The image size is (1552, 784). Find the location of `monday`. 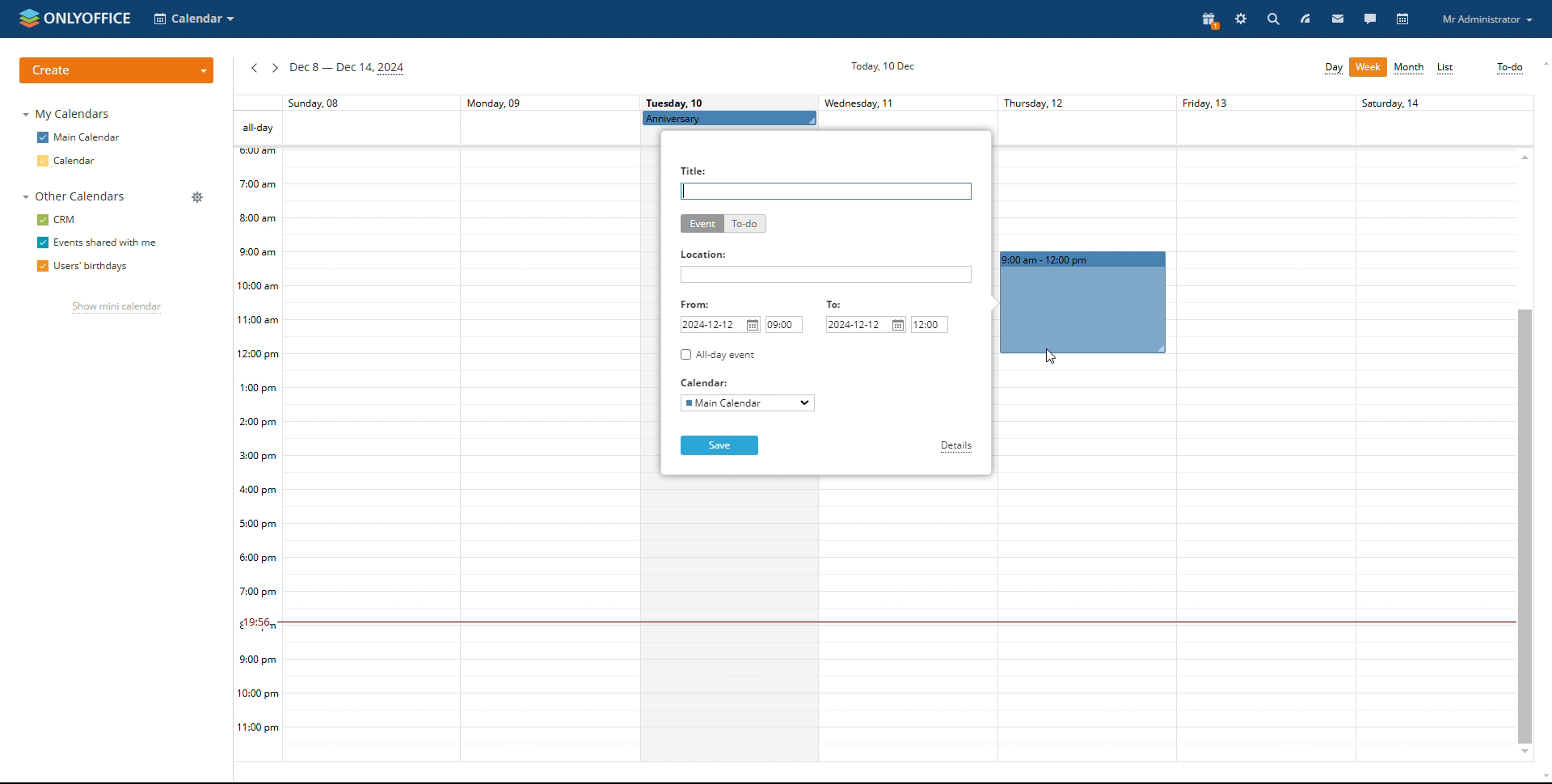

monday is located at coordinates (547, 428).